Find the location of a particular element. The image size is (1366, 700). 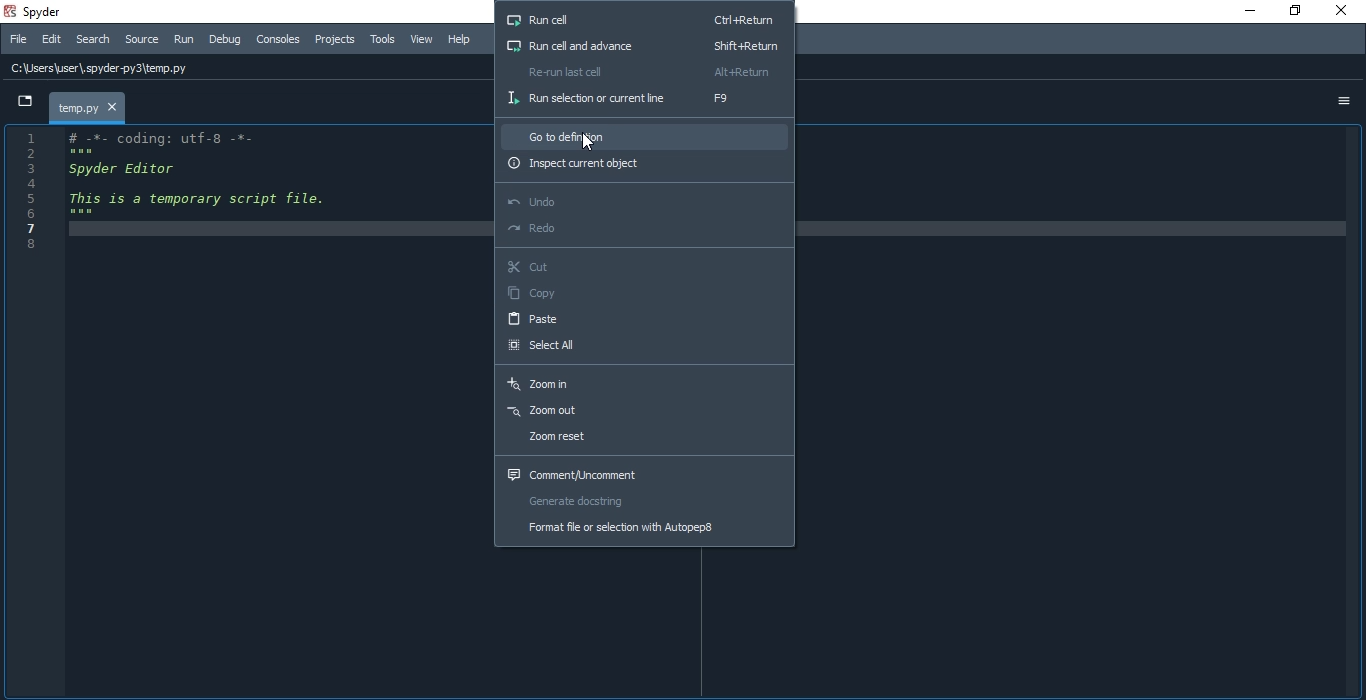

Help is located at coordinates (464, 40).